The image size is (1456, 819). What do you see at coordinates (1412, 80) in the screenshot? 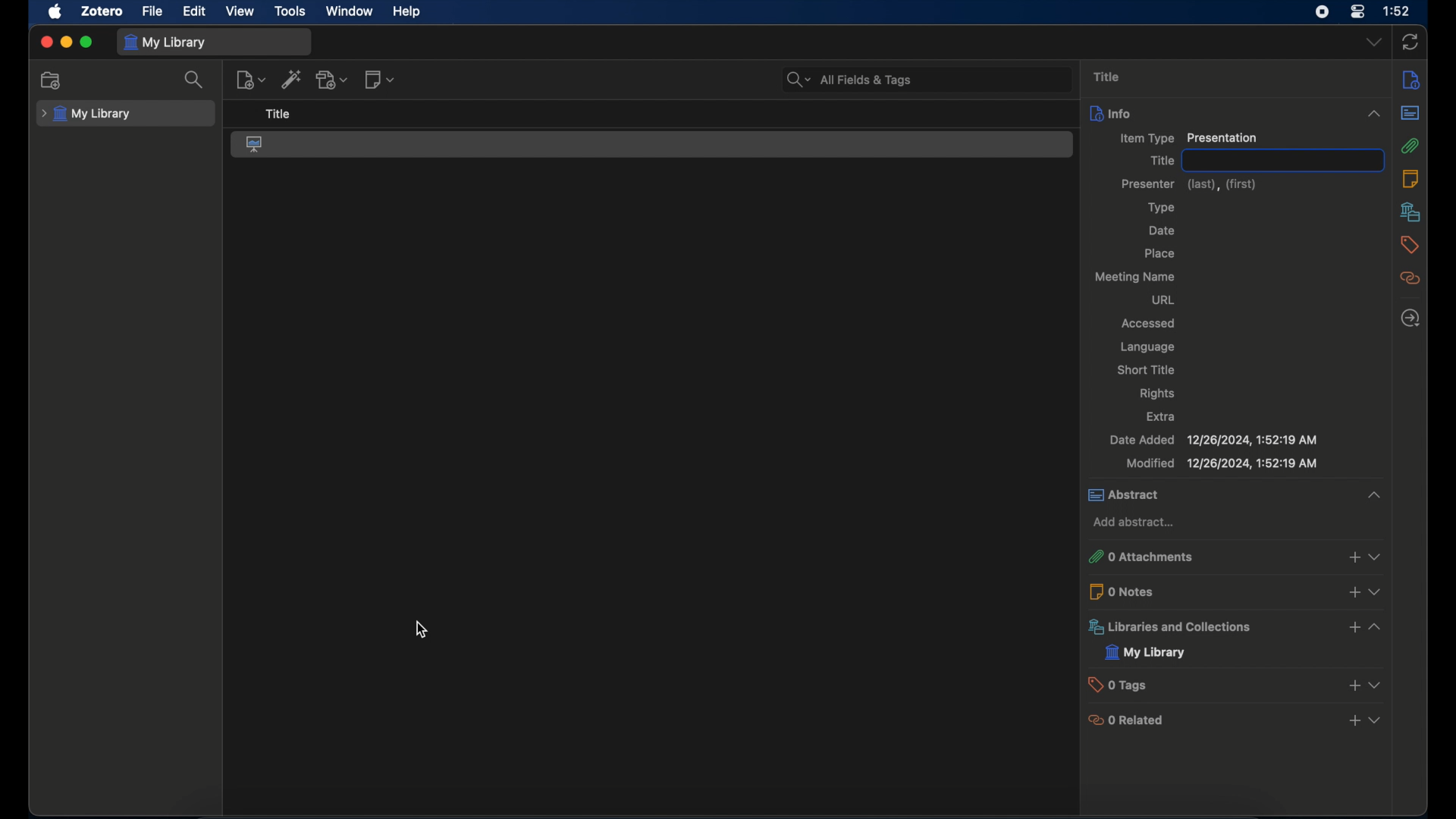
I see `info` at bounding box center [1412, 80].